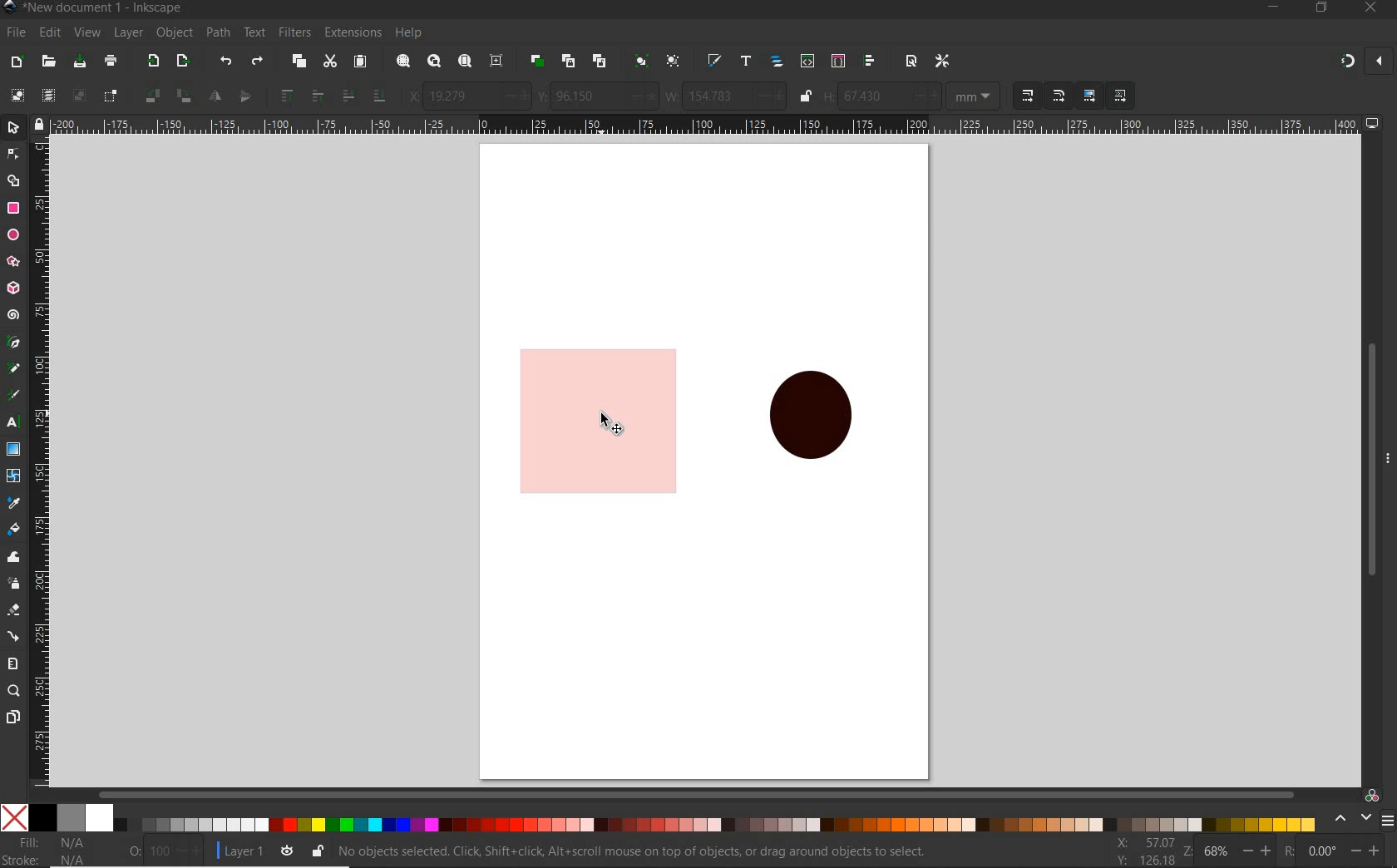  Describe the element at coordinates (695, 792) in the screenshot. I see `scrollbar` at that location.